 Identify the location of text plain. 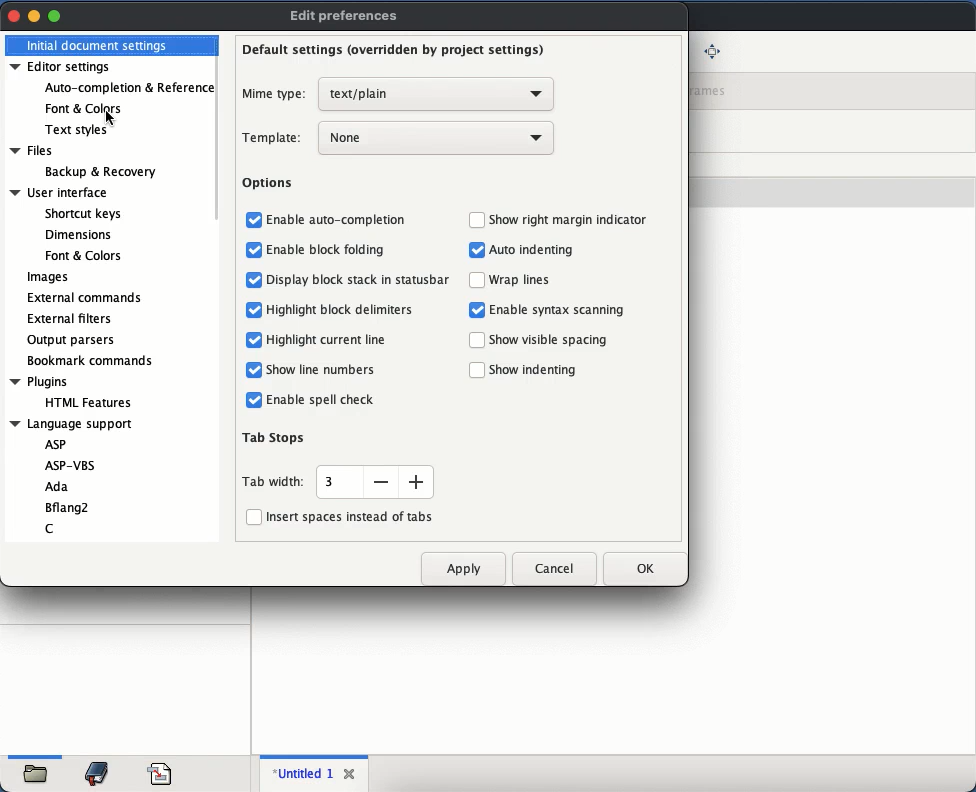
(437, 95).